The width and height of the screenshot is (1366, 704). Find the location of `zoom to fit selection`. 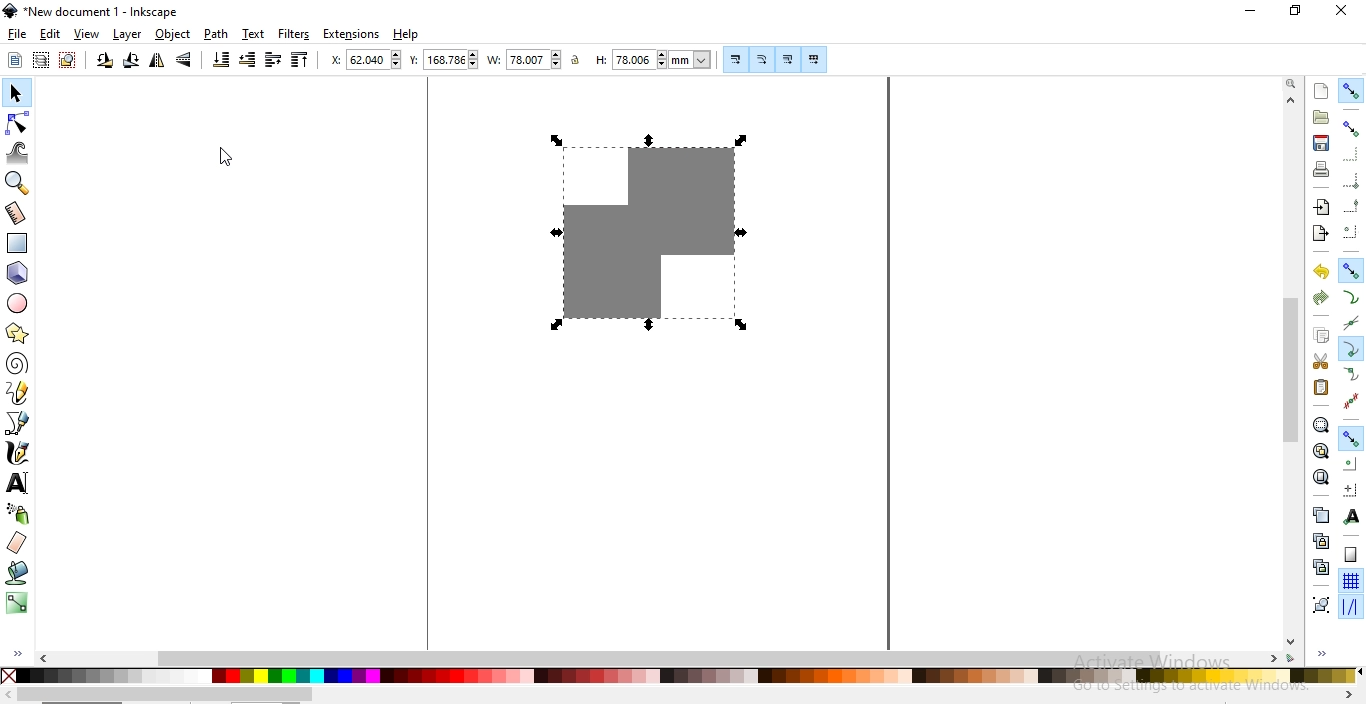

zoom to fit selection is located at coordinates (1320, 426).